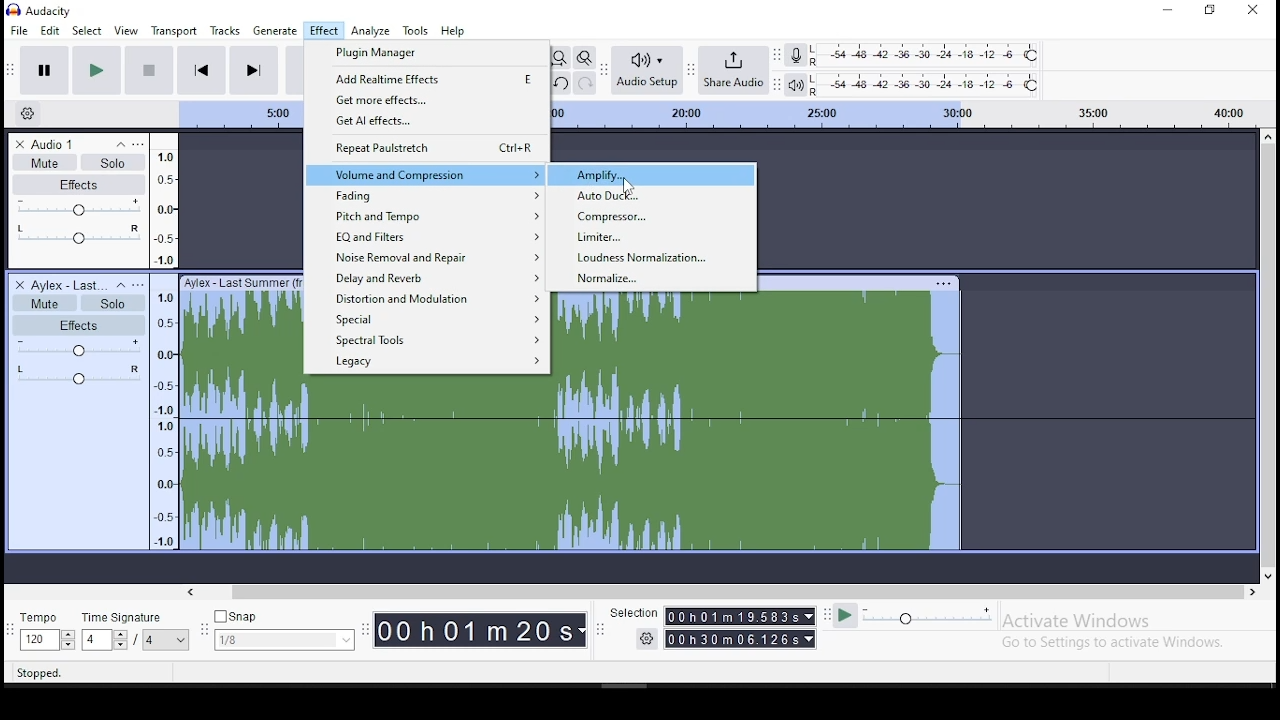  Describe the element at coordinates (119, 285) in the screenshot. I see `collapse` at that location.